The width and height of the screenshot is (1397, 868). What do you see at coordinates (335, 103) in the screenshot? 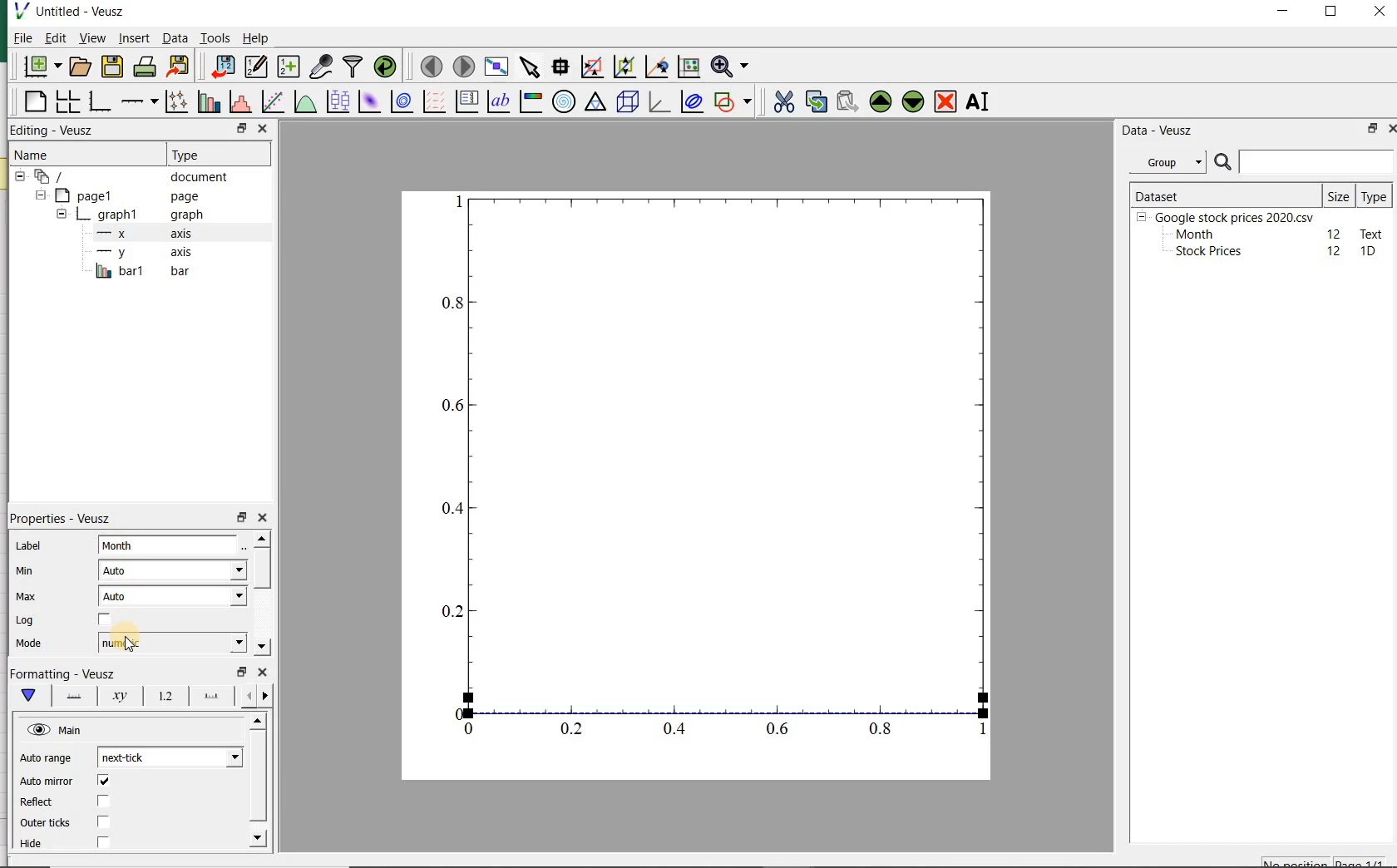
I see `plot box plots` at bounding box center [335, 103].